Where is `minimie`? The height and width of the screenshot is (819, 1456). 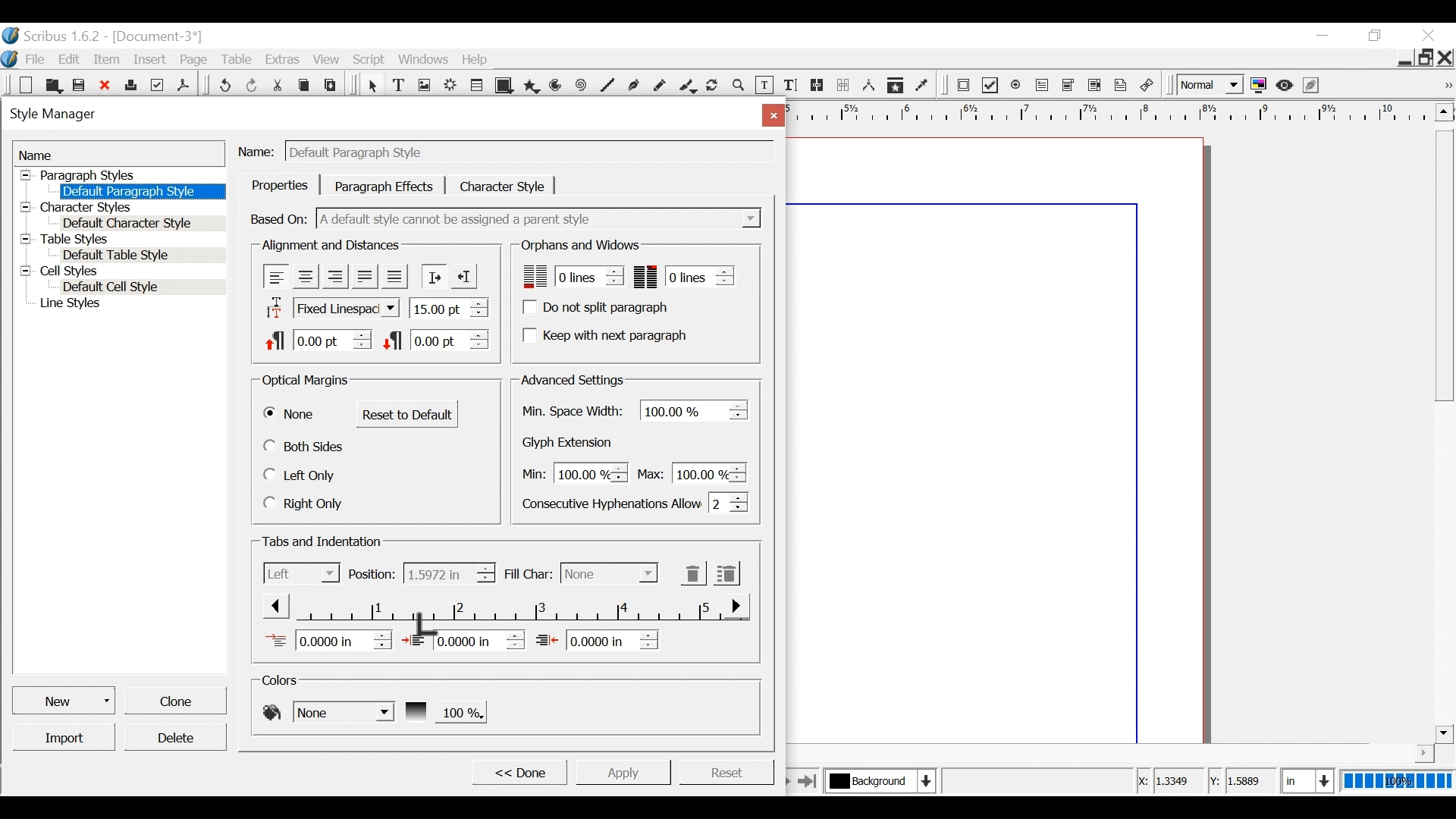
minimie is located at coordinates (1404, 57).